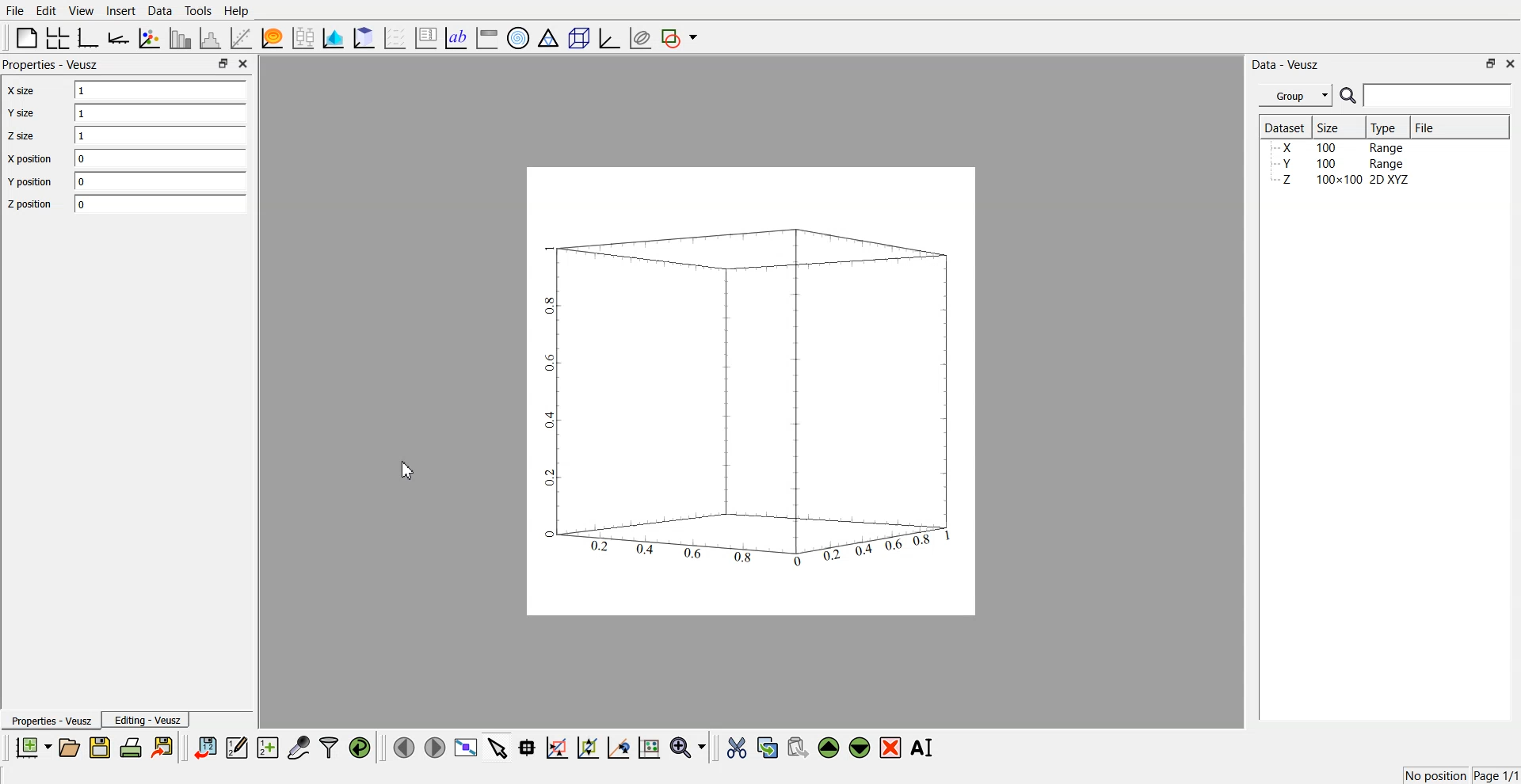 This screenshot has width=1521, height=784. What do you see at coordinates (329, 747) in the screenshot?
I see `Filter dataset` at bounding box center [329, 747].